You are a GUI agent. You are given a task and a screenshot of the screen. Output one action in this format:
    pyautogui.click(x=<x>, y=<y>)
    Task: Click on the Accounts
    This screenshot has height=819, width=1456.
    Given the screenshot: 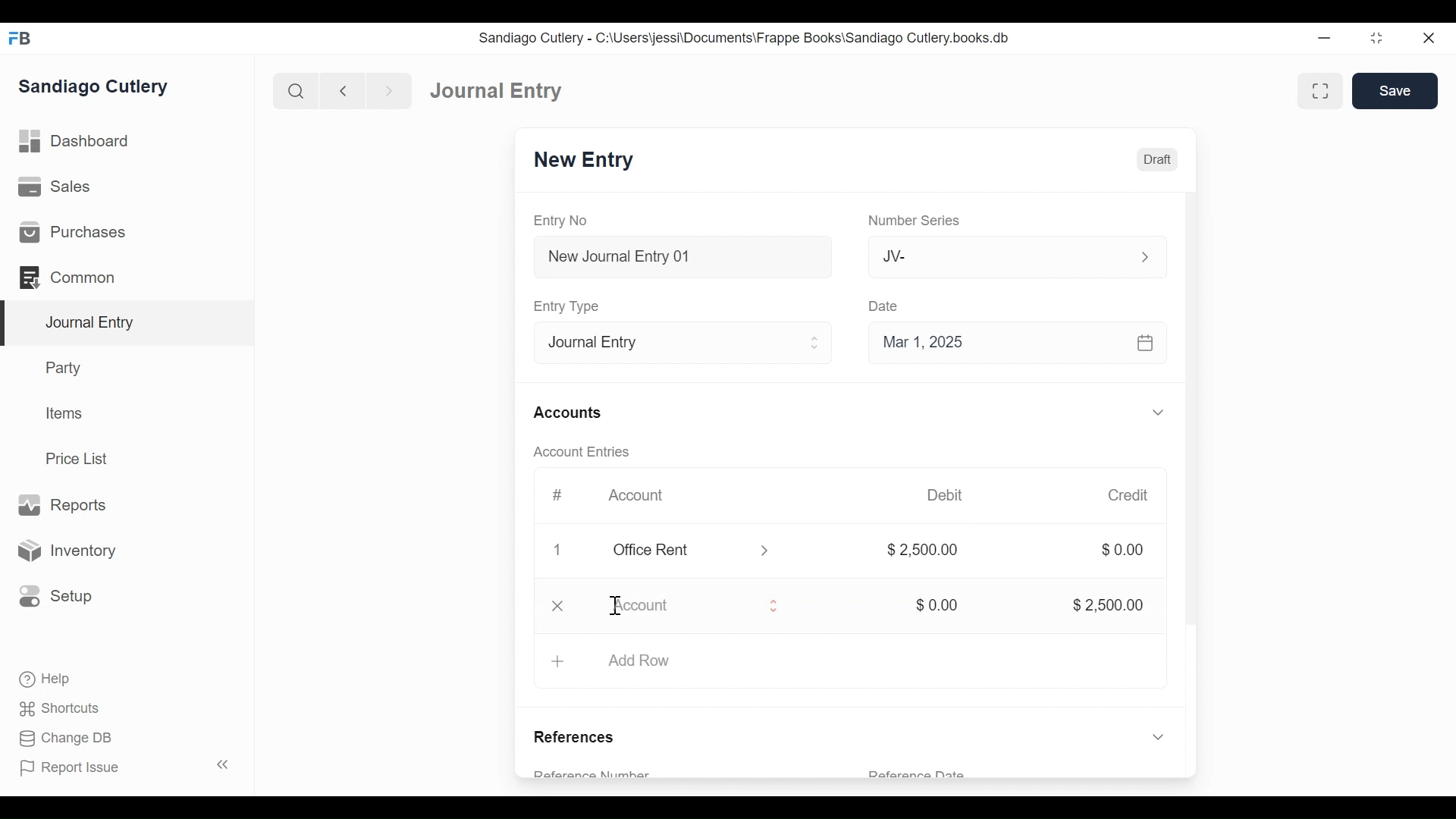 What is the action you would take?
    pyautogui.click(x=566, y=413)
    